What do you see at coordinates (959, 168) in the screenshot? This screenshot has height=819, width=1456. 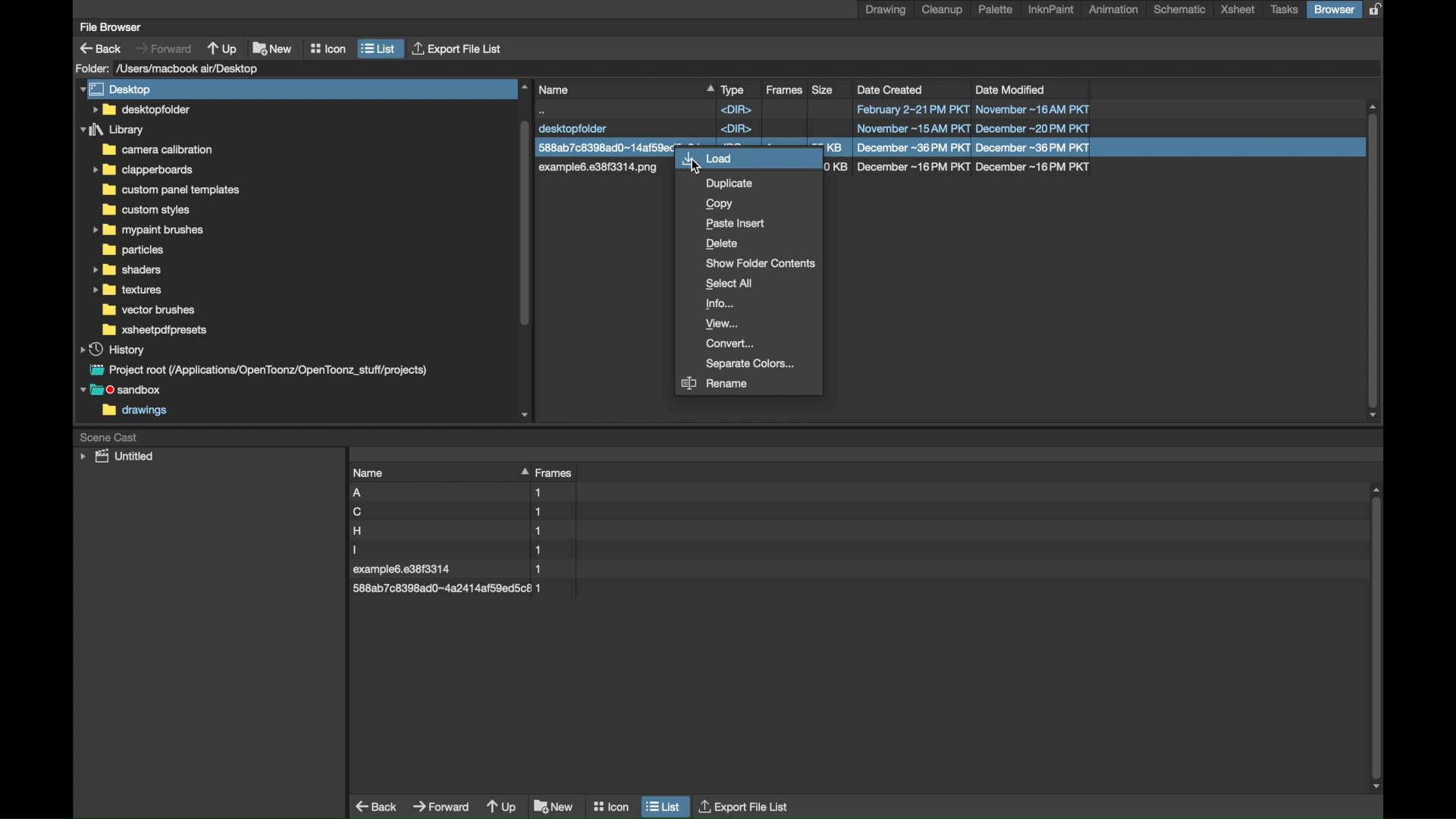 I see `file nformation` at bounding box center [959, 168].